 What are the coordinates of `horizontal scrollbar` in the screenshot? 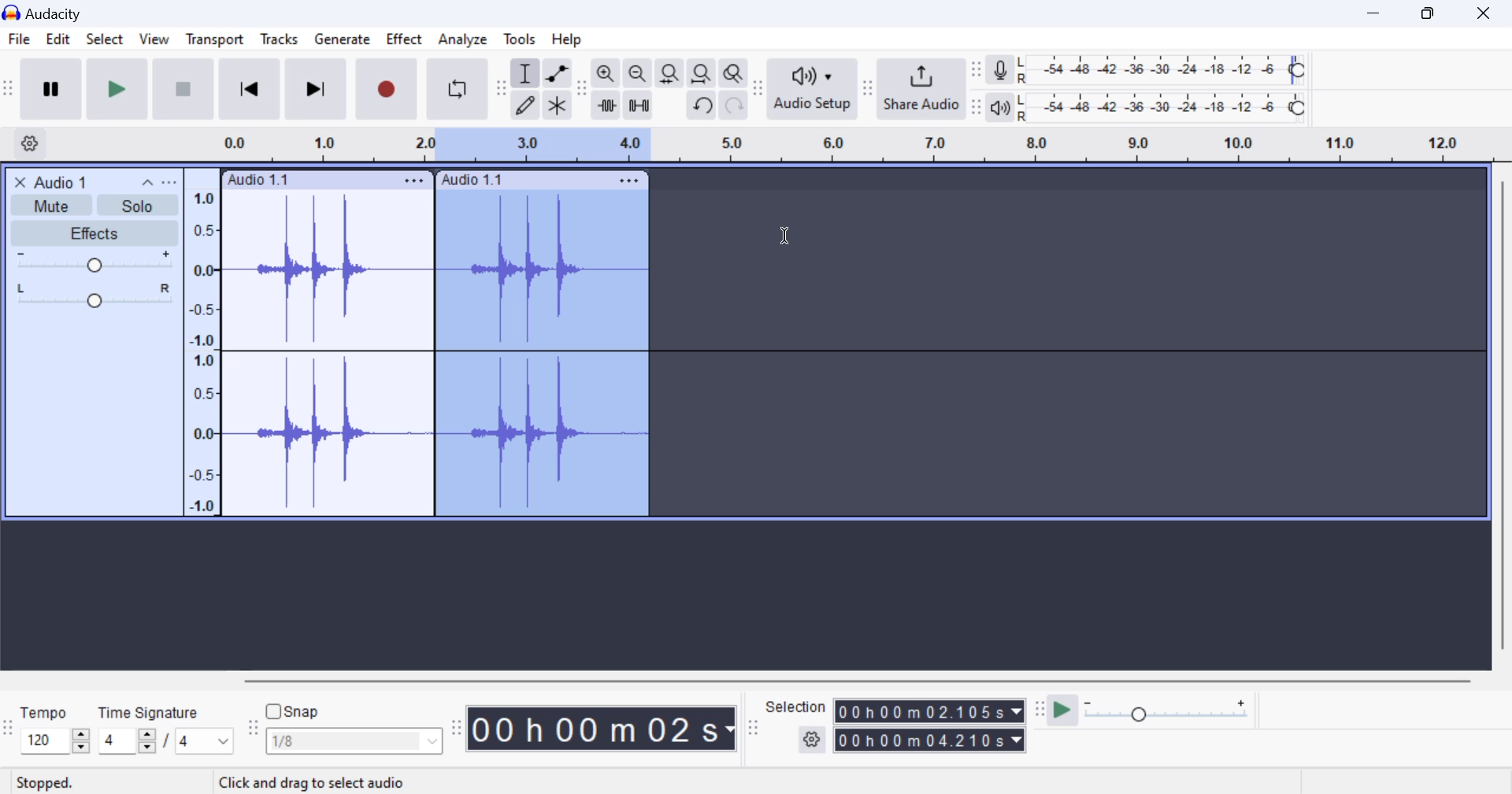 It's located at (873, 678).